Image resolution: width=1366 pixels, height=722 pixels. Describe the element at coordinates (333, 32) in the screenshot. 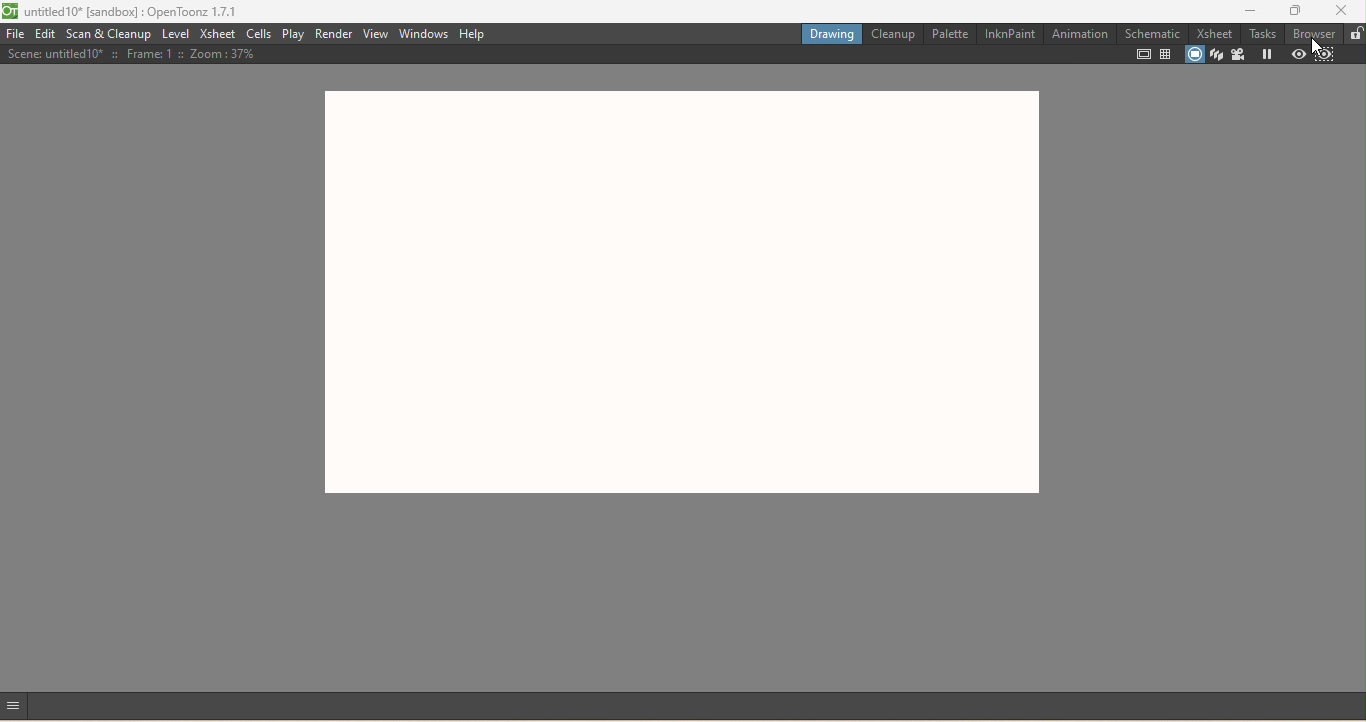

I see `Render` at that location.